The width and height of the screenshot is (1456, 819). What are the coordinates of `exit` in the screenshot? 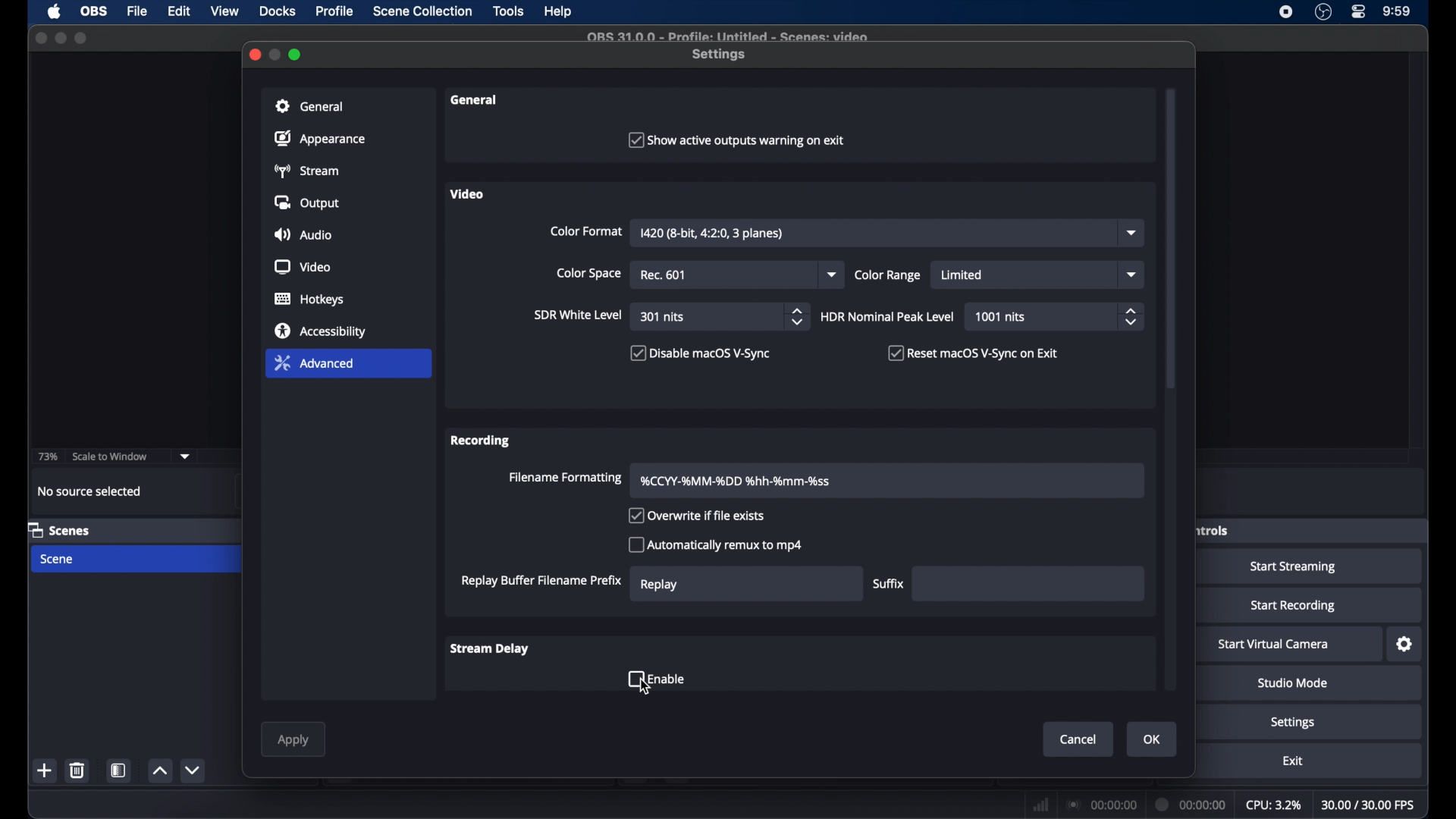 It's located at (1292, 761).